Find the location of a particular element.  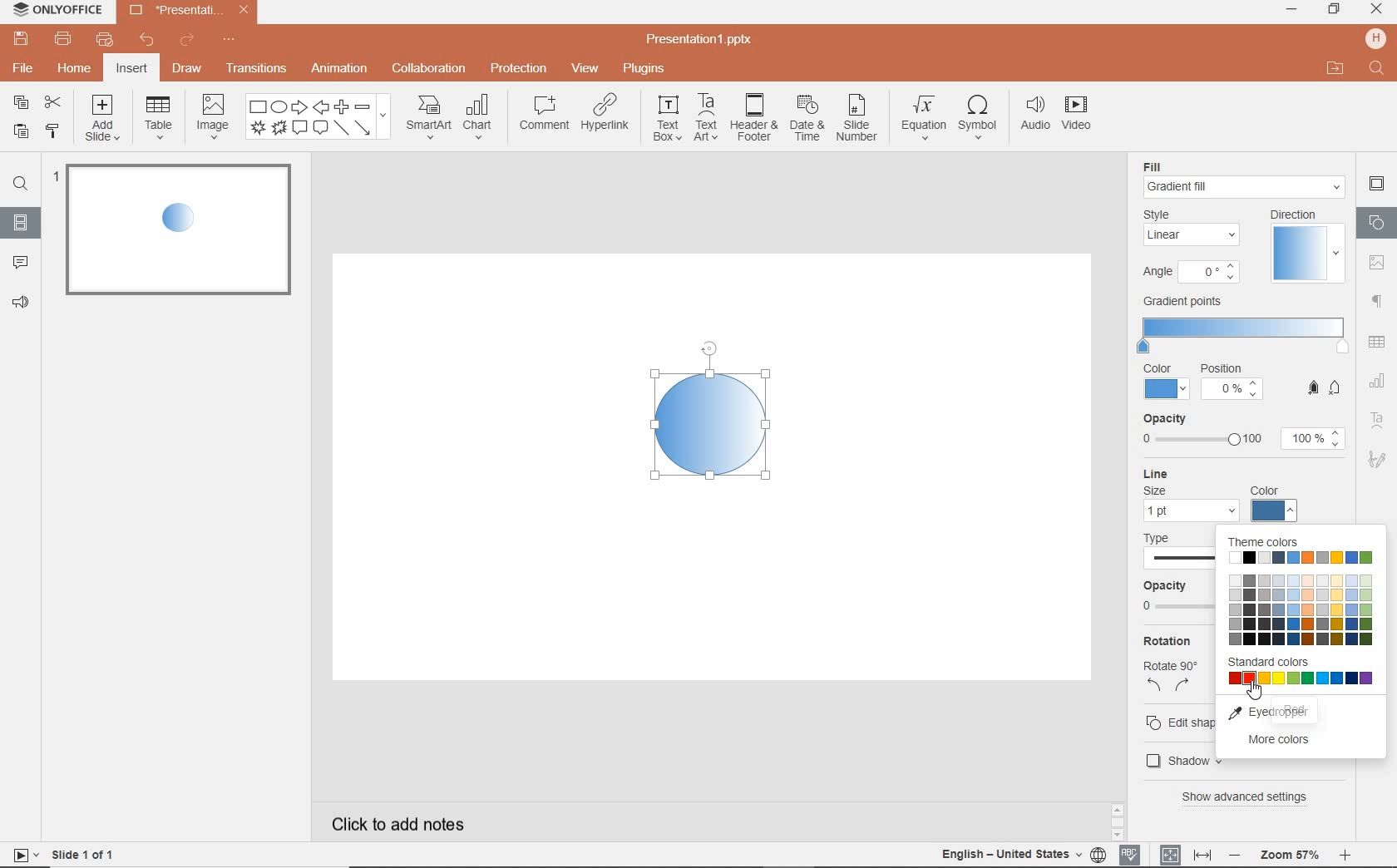

date & time is located at coordinates (807, 119).